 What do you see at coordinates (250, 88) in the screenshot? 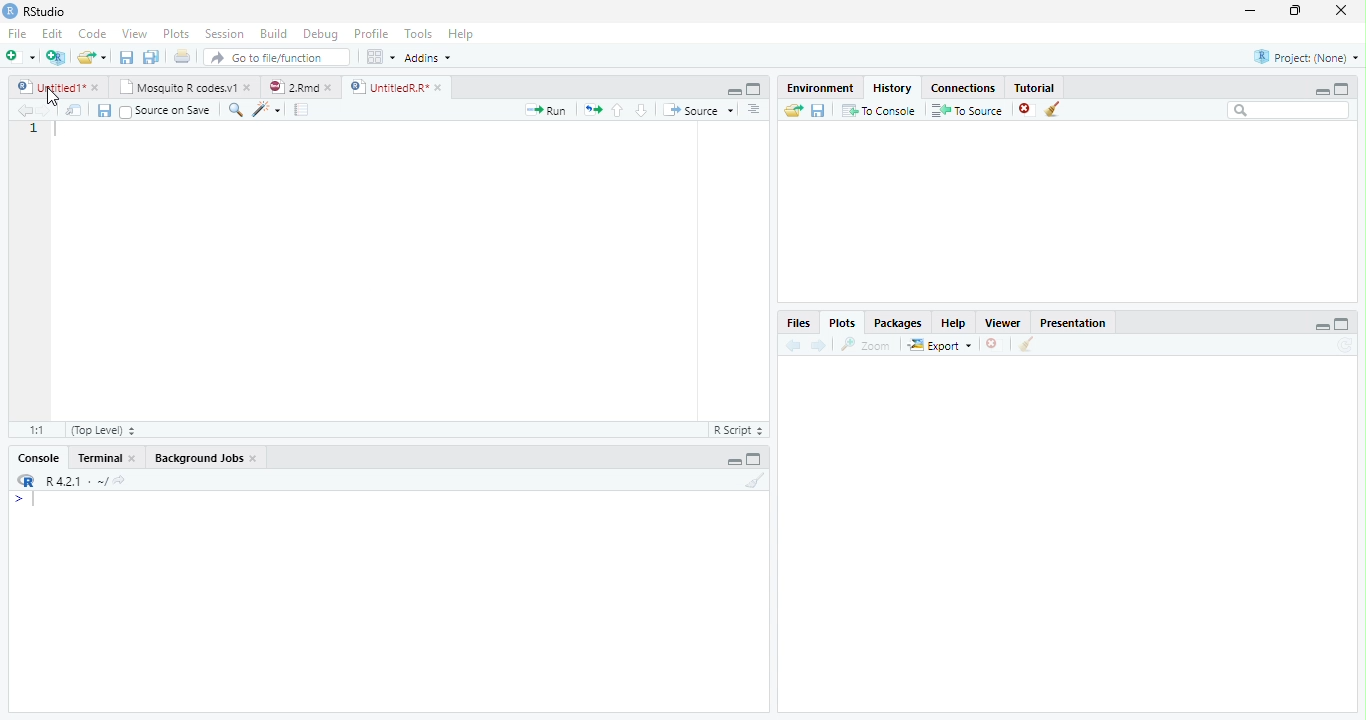
I see `close` at bounding box center [250, 88].